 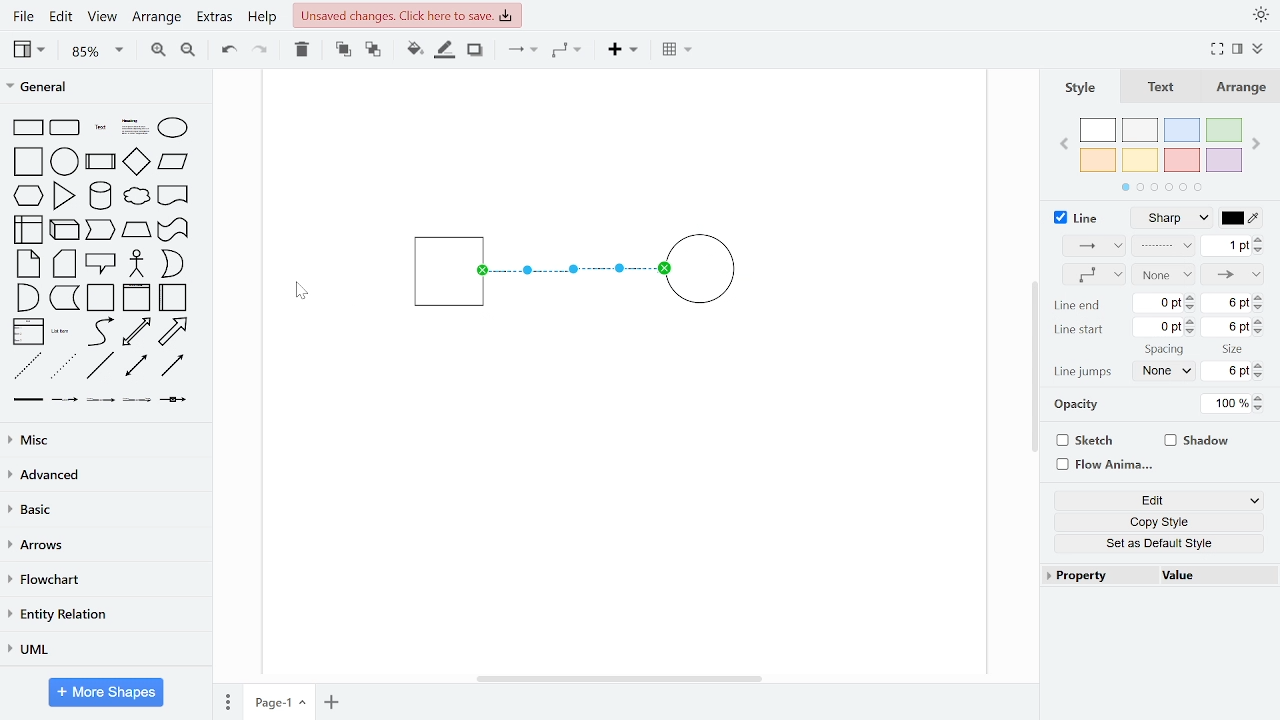 I want to click on connector with symbol, so click(x=176, y=398).